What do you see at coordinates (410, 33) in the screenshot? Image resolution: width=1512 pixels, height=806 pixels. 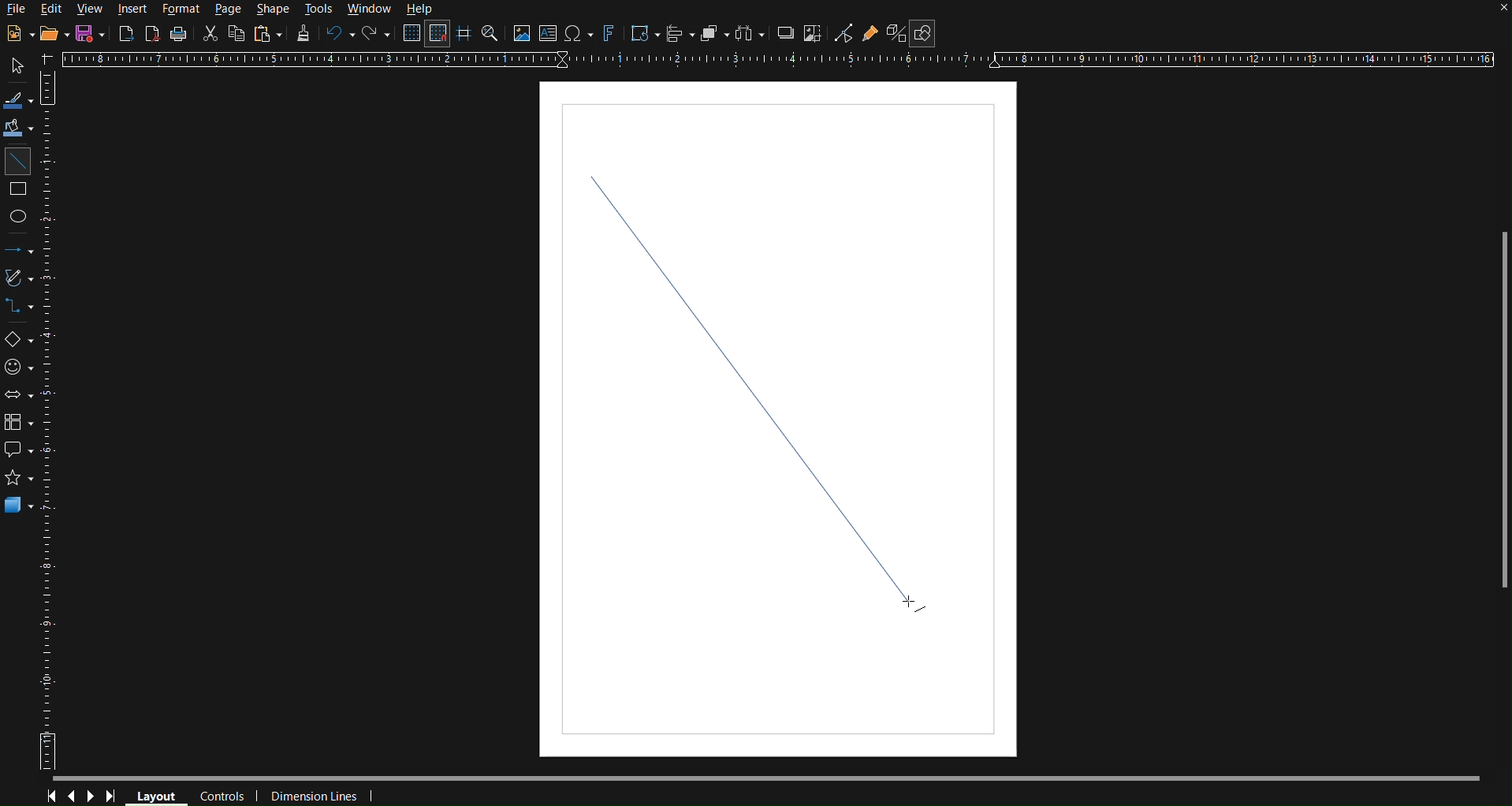 I see `Display Grid` at bounding box center [410, 33].